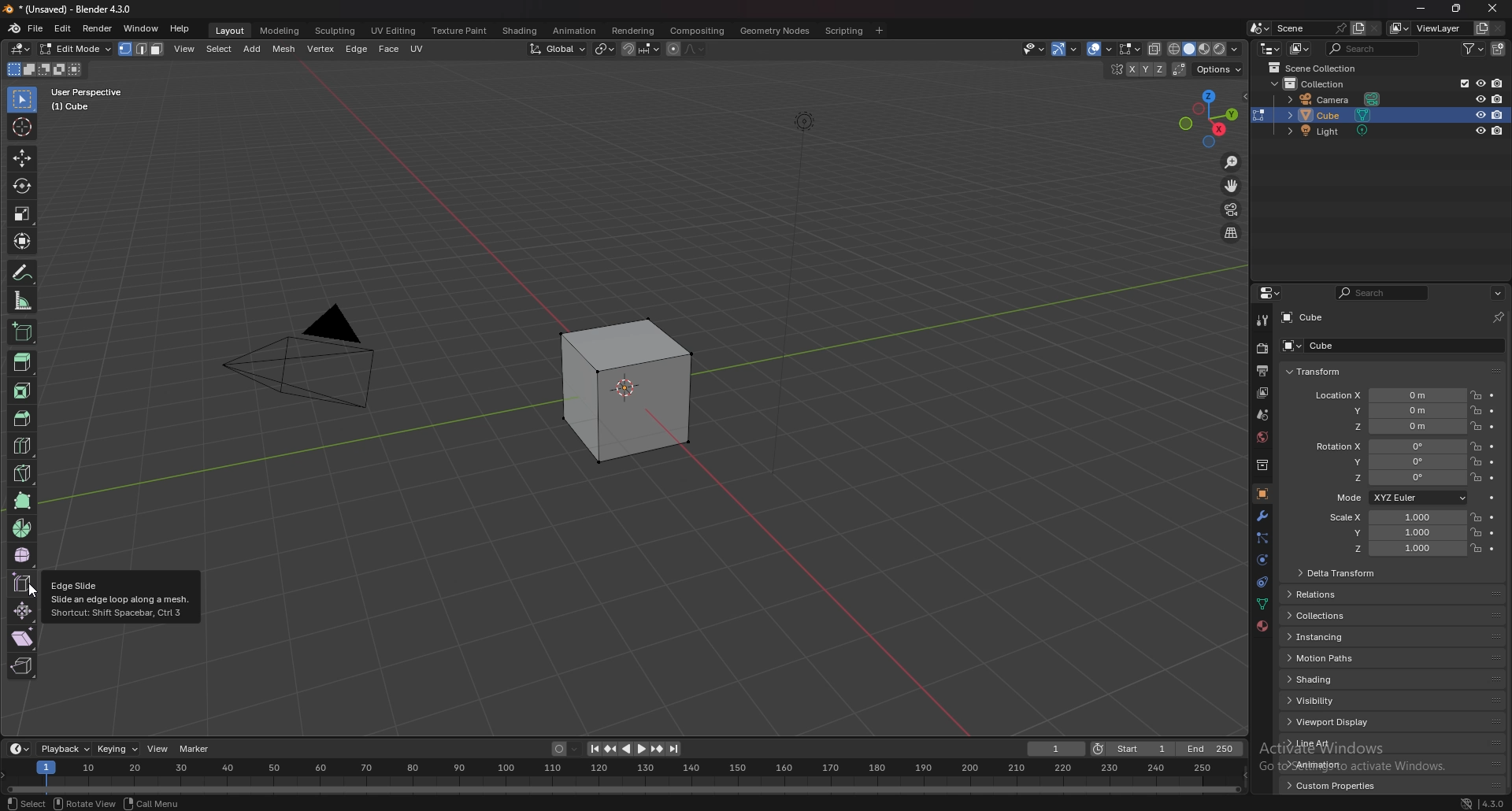 The width and height of the screenshot is (1512, 811). Describe the element at coordinates (1480, 83) in the screenshot. I see `hide in viewport` at that location.